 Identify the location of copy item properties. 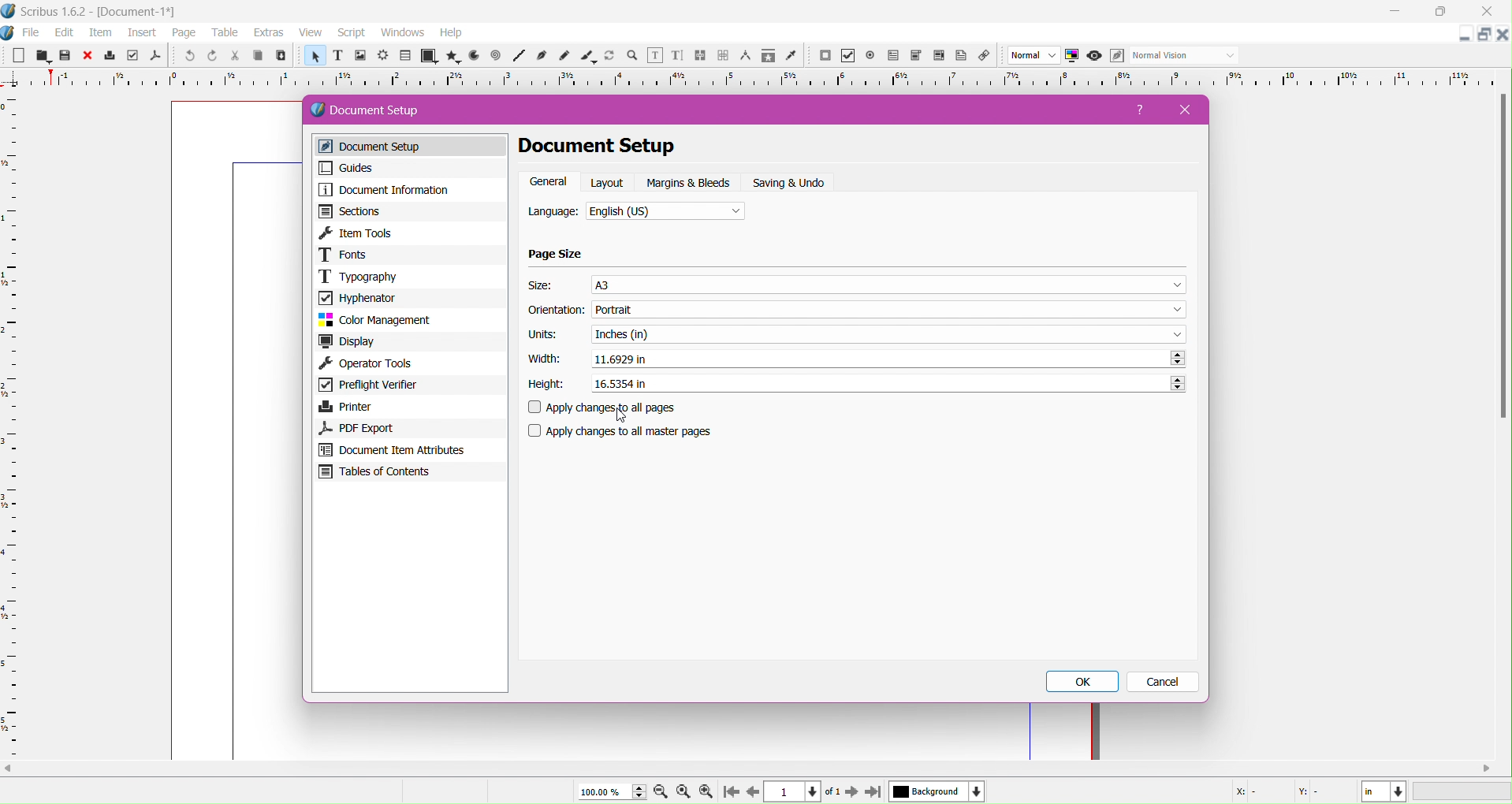
(768, 58).